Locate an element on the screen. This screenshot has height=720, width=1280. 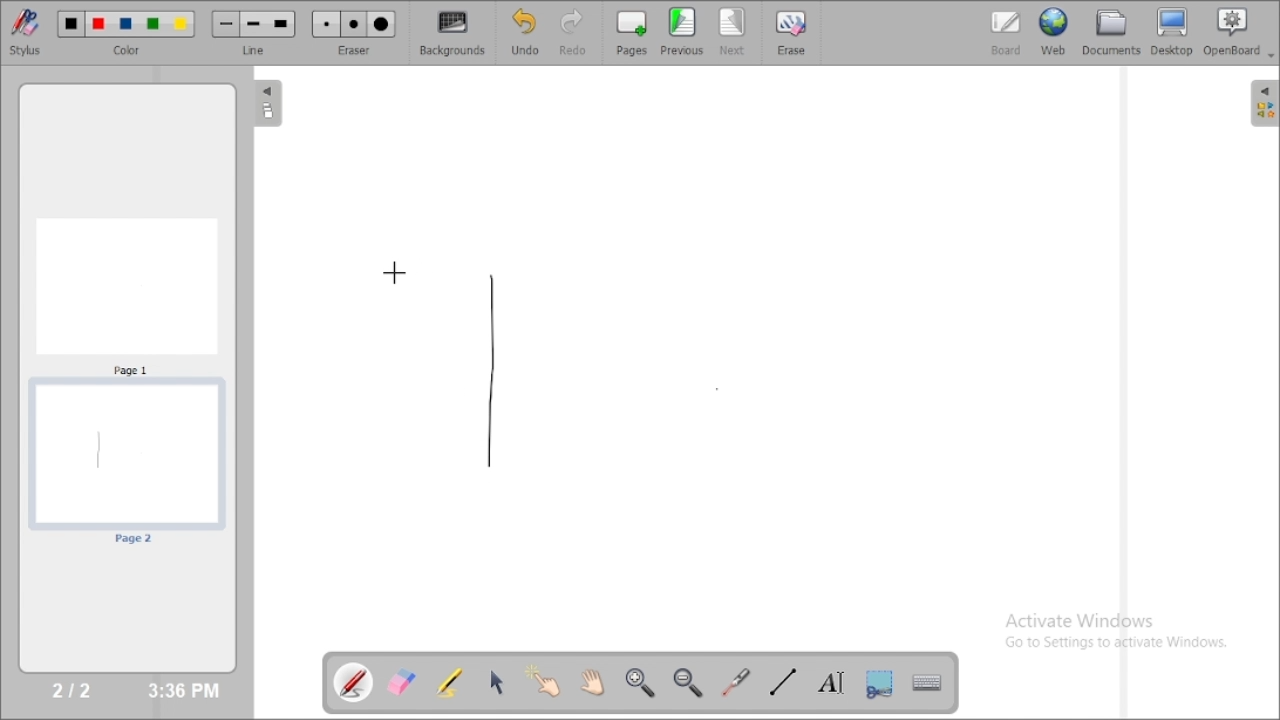
3:36 PM is located at coordinates (182, 691).